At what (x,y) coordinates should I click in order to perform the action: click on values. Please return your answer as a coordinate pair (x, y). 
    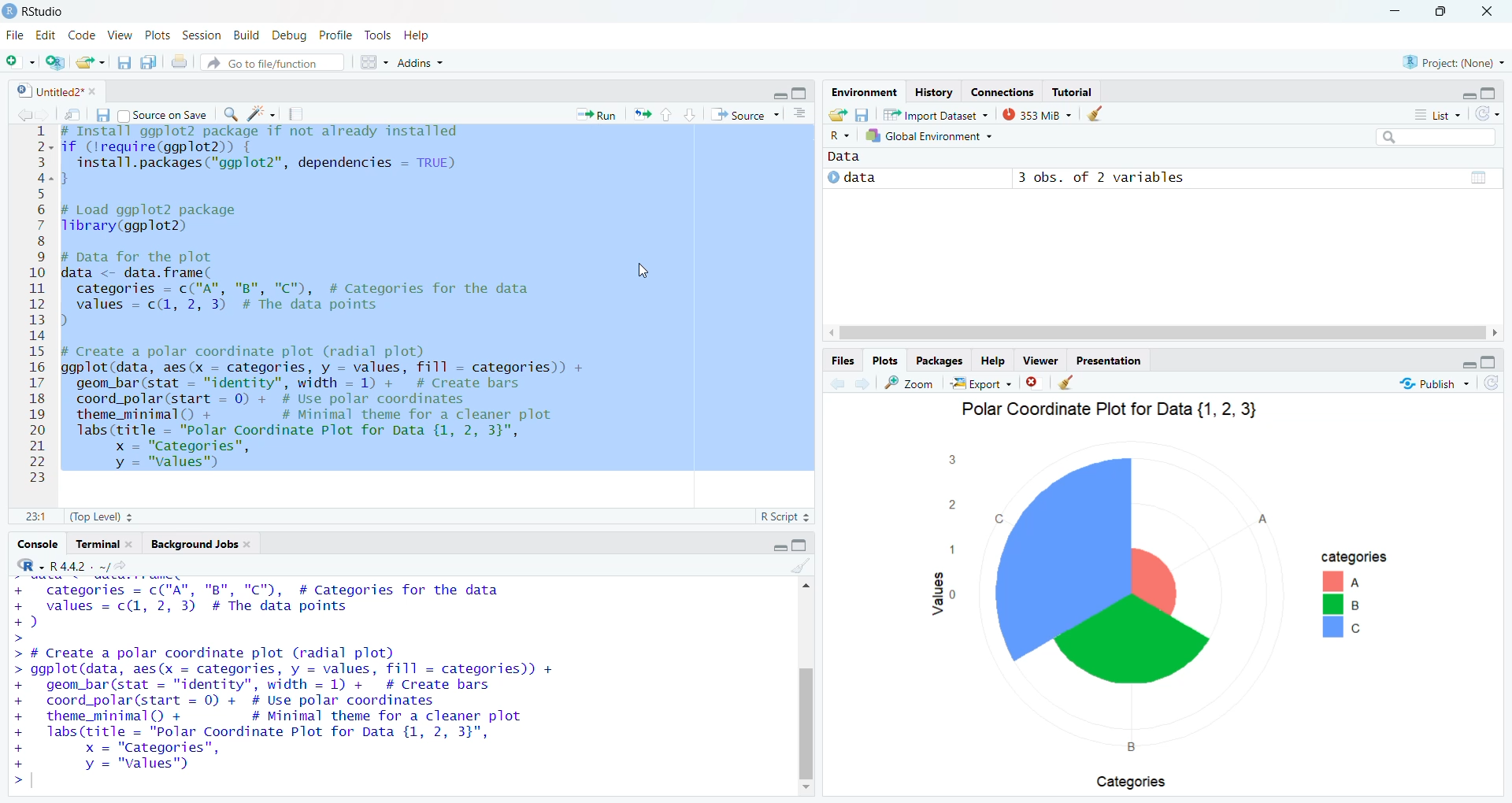
    Looking at the image, I should click on (929, 590).